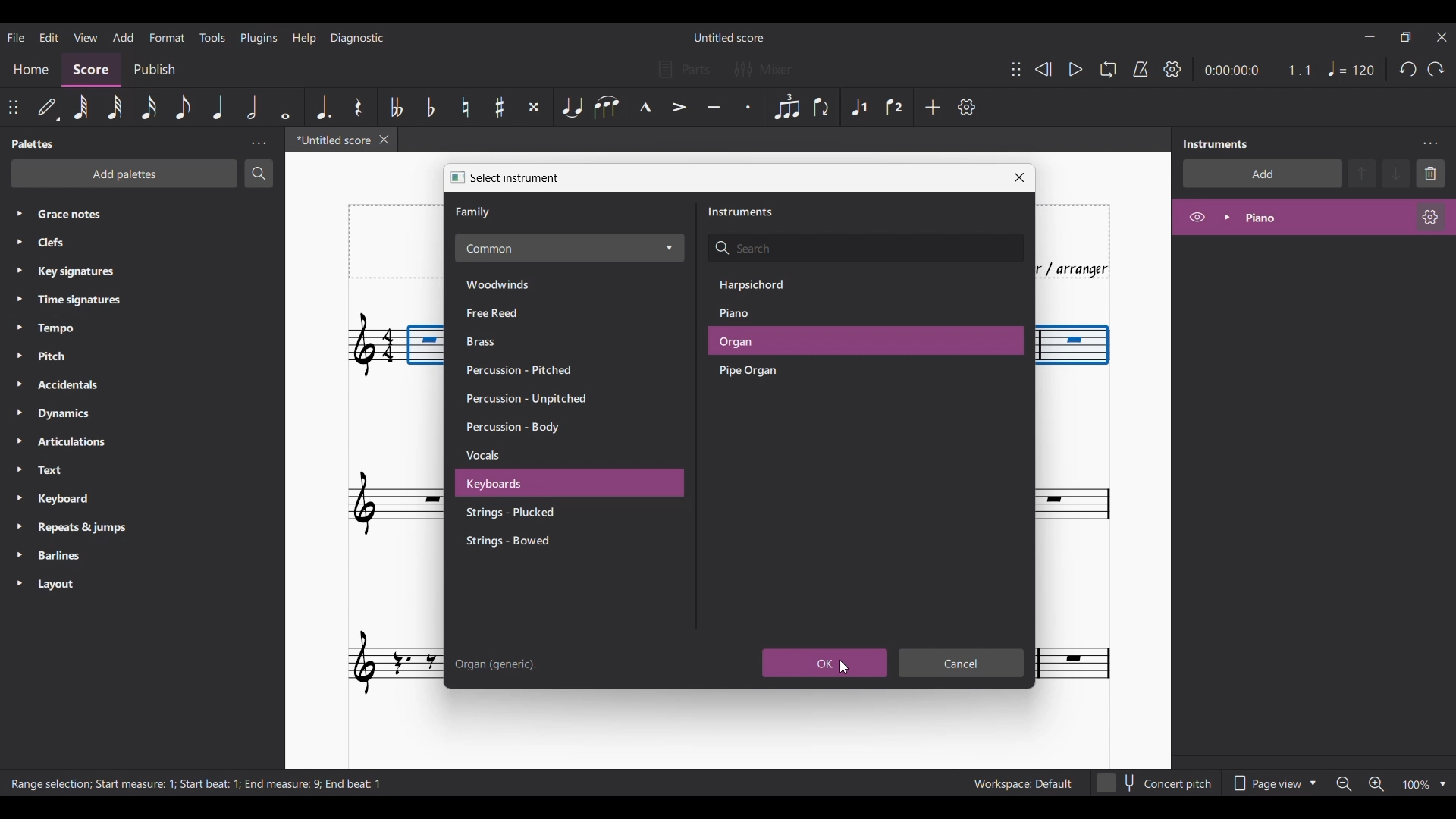  Describe the element at coordinates (865, 341) in the screenshot. I see `Selected instrument highlighted` at that location.